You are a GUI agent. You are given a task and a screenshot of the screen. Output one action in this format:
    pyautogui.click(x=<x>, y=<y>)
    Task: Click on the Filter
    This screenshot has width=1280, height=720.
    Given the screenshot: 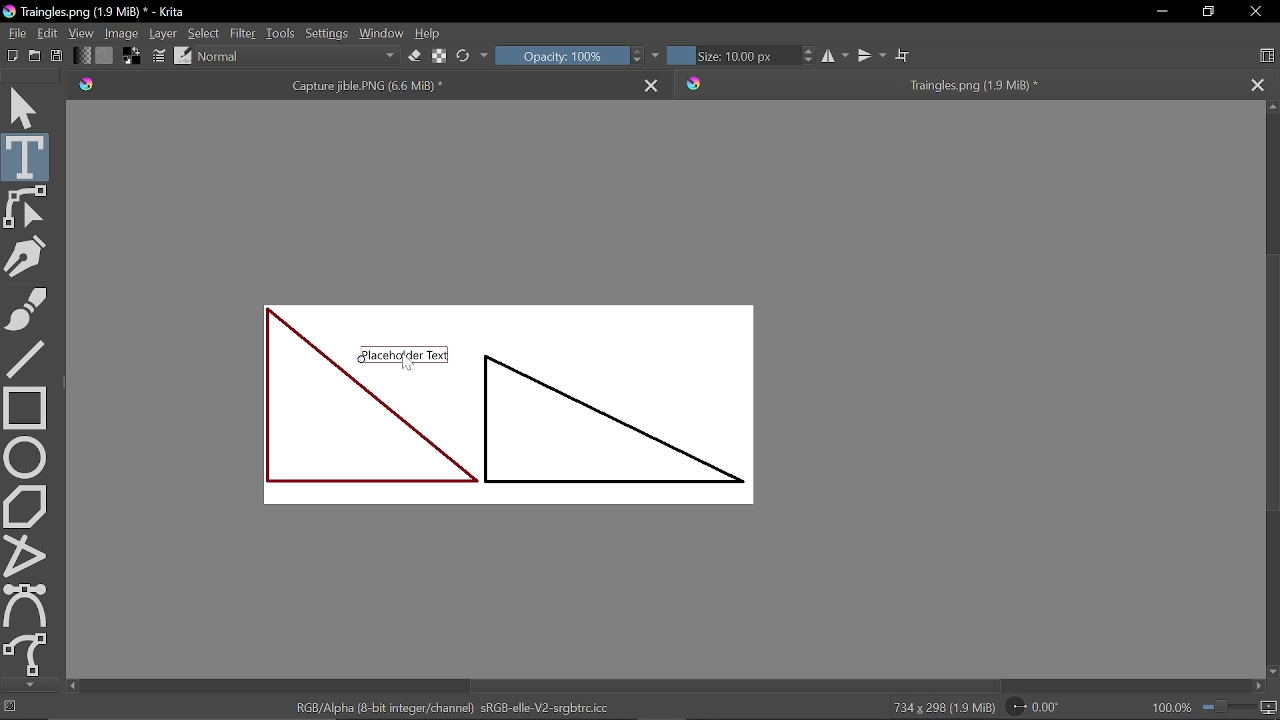 What is the action you would take?
    pyautogui.click(x=243, y=33)
    